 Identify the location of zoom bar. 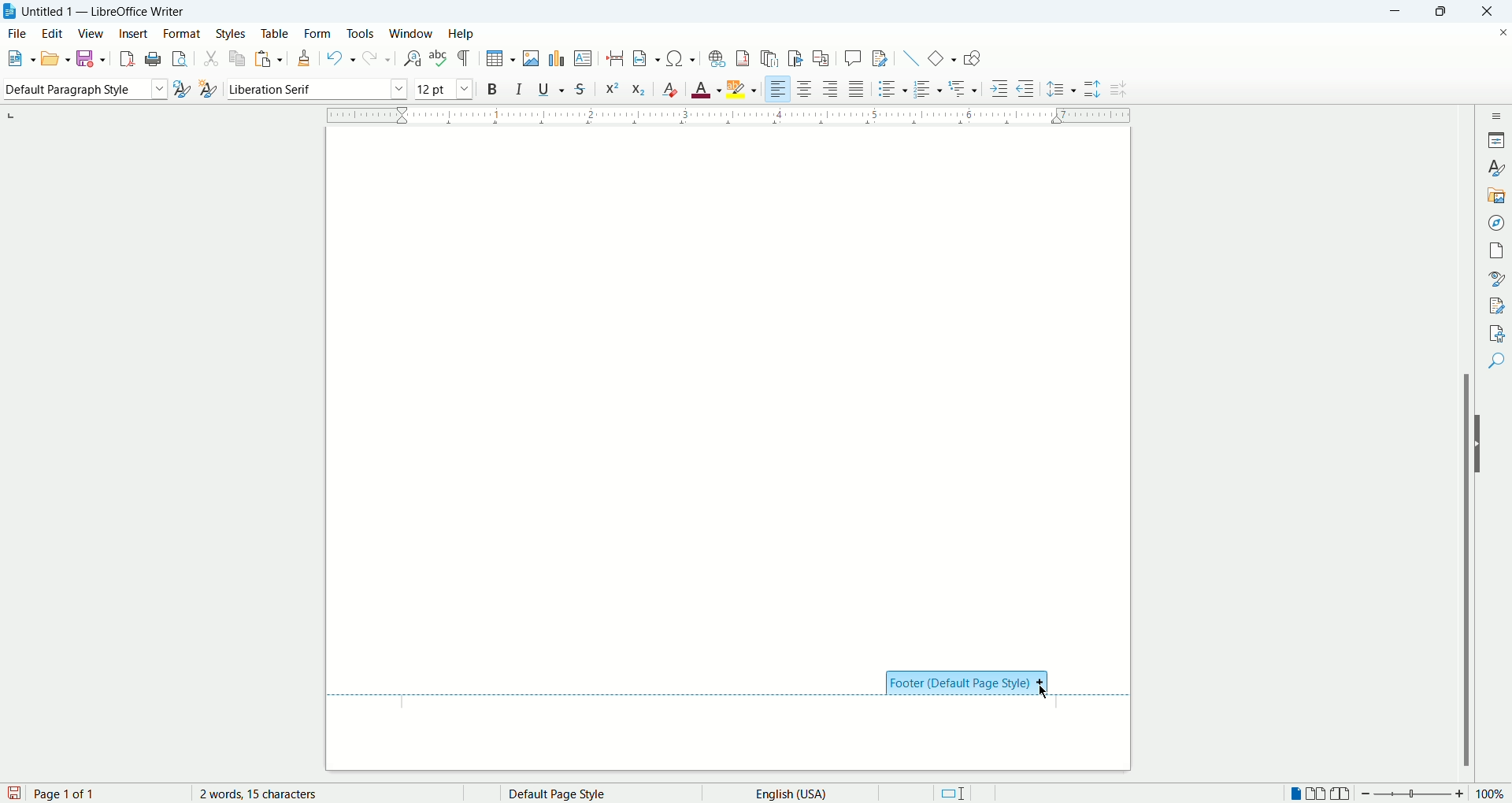
(1412, 794).